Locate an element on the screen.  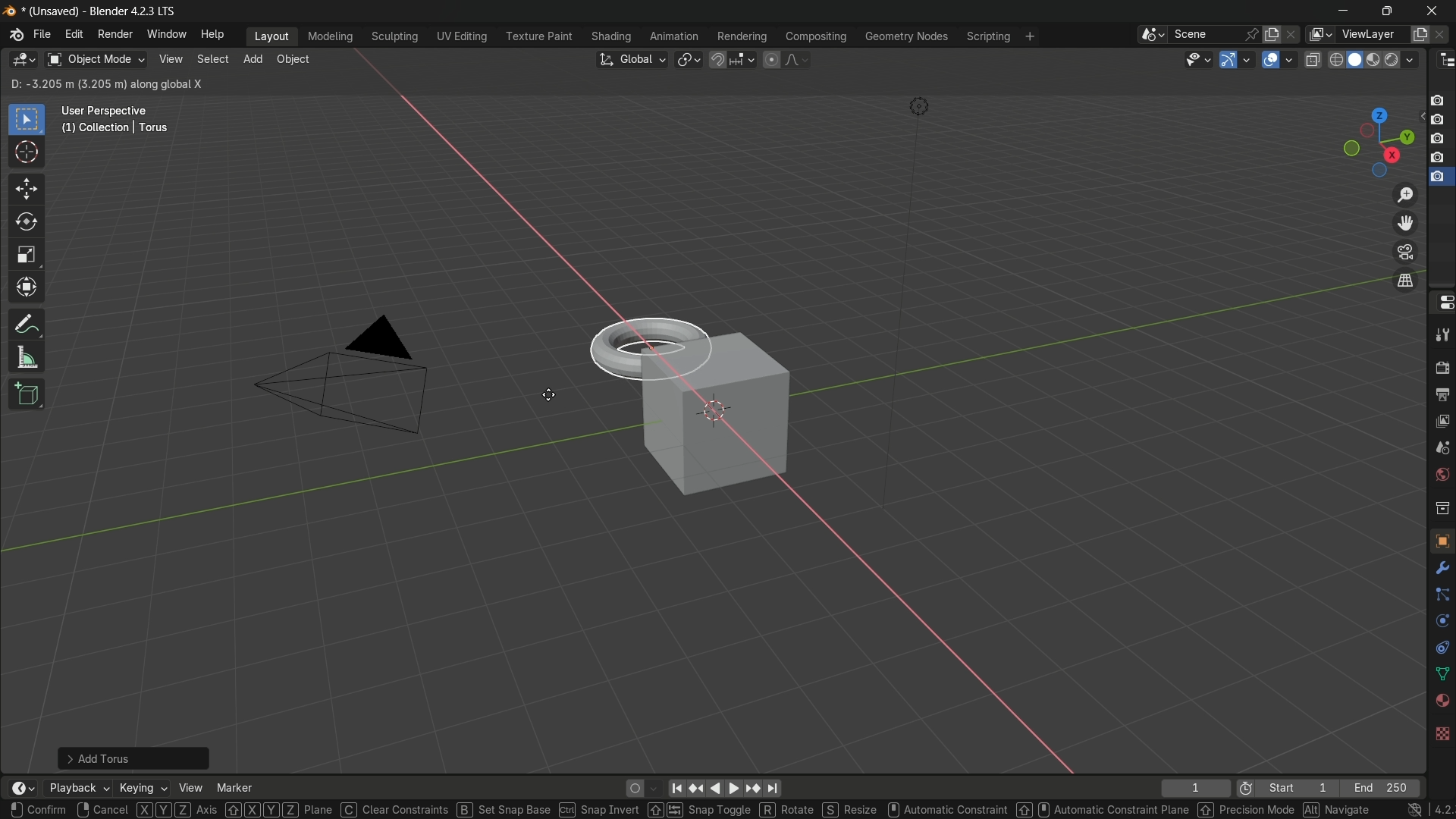
jump to endpoint is located at coordinates (674, 789).